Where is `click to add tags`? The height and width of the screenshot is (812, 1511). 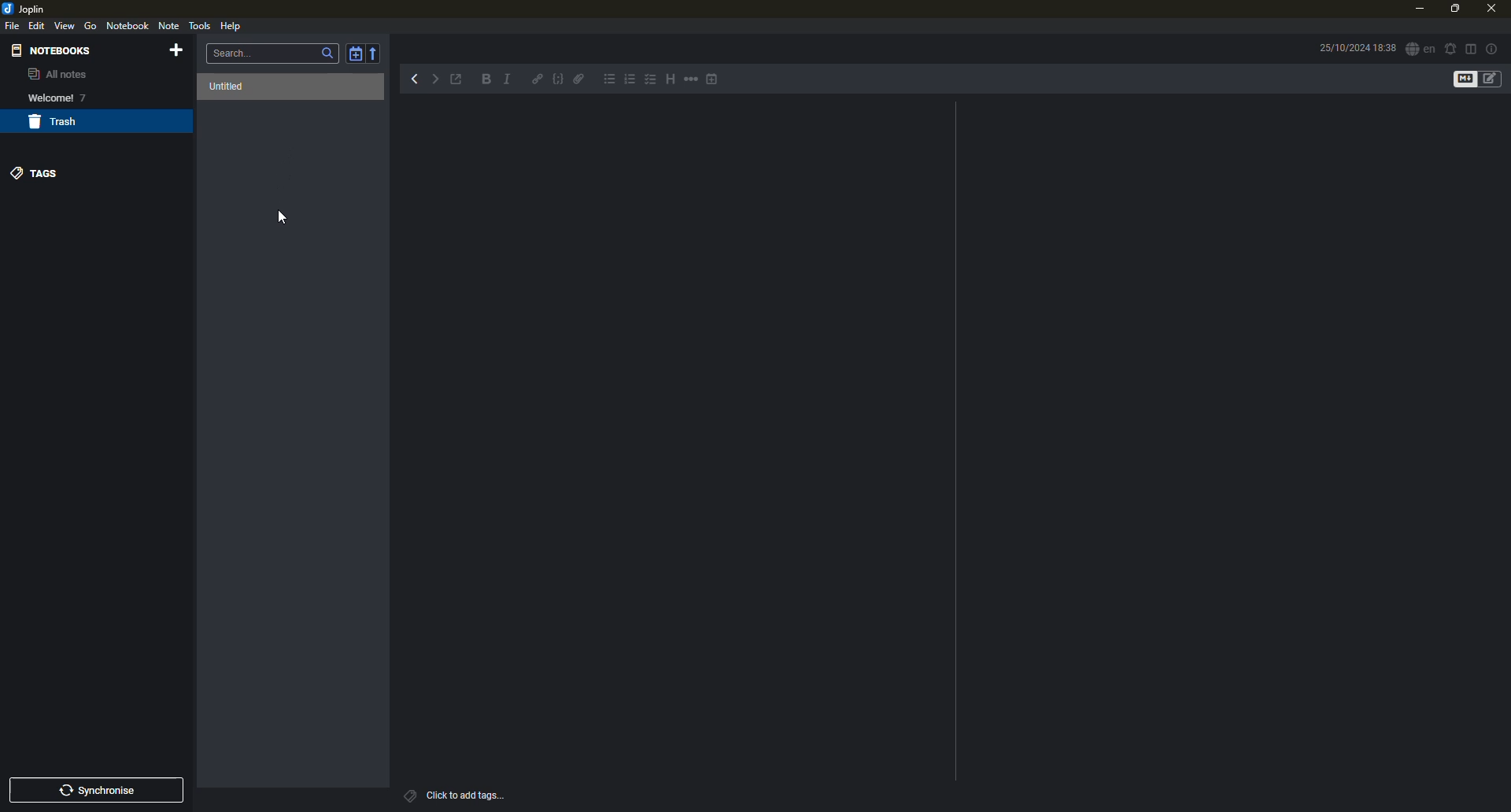
click to add tags is located at coordinates (478, 793).